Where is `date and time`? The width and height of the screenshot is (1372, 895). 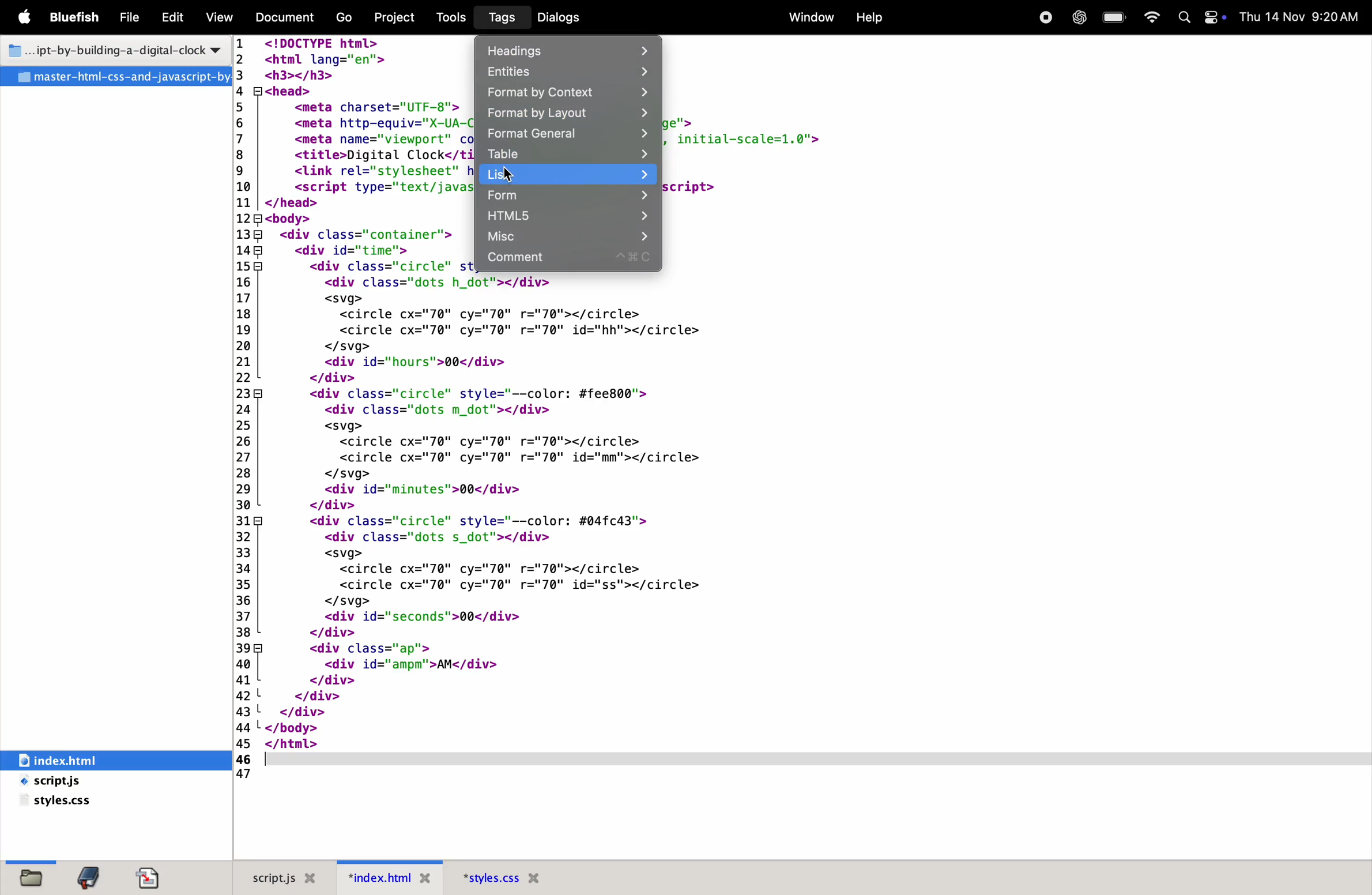 date and time is located at coordinates (1299, 16).